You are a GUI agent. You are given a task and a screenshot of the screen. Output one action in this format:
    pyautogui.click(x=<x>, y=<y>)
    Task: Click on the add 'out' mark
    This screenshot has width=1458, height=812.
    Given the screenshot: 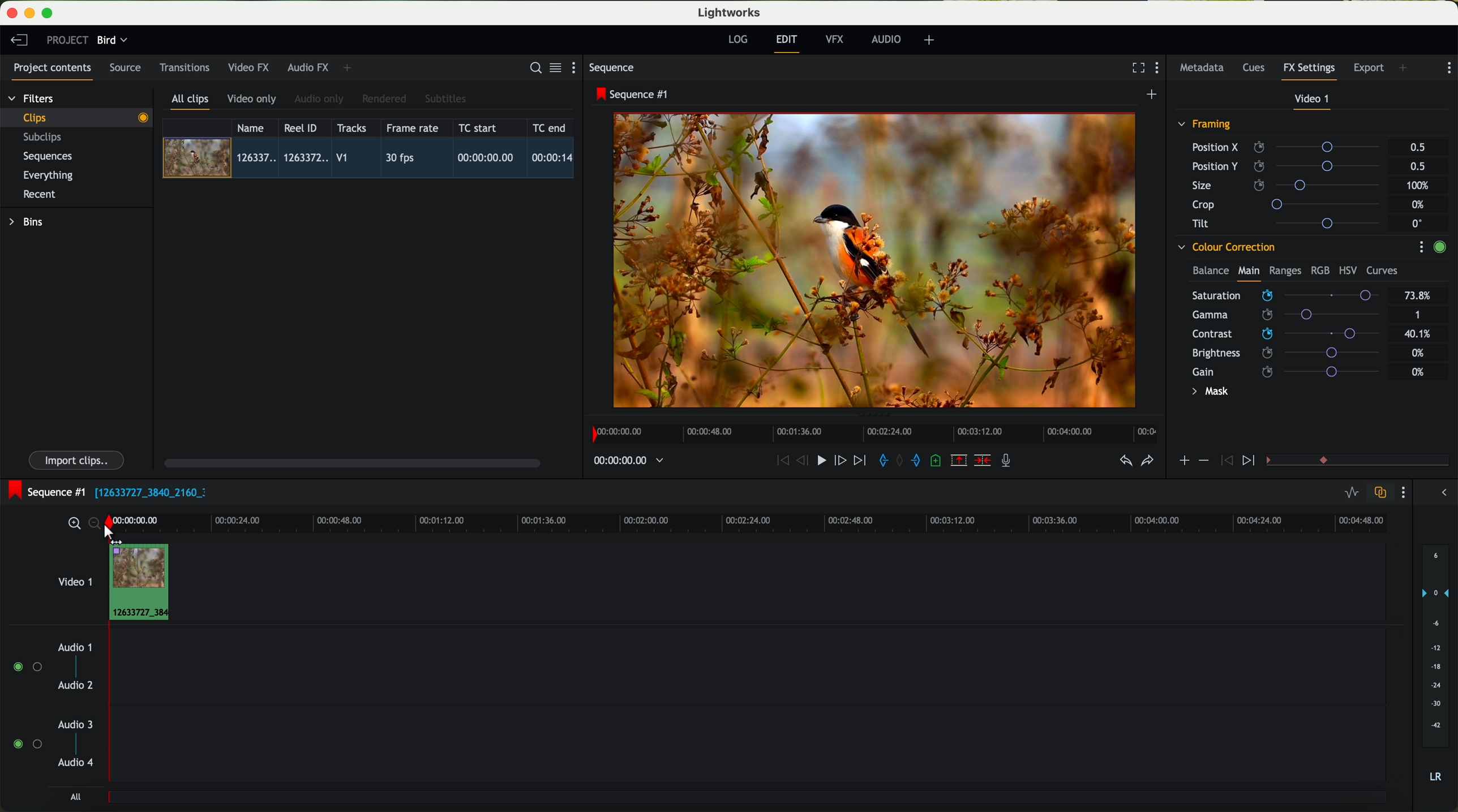 What is the action you would take?
    pyautogui.click(x=921, y=459)
    